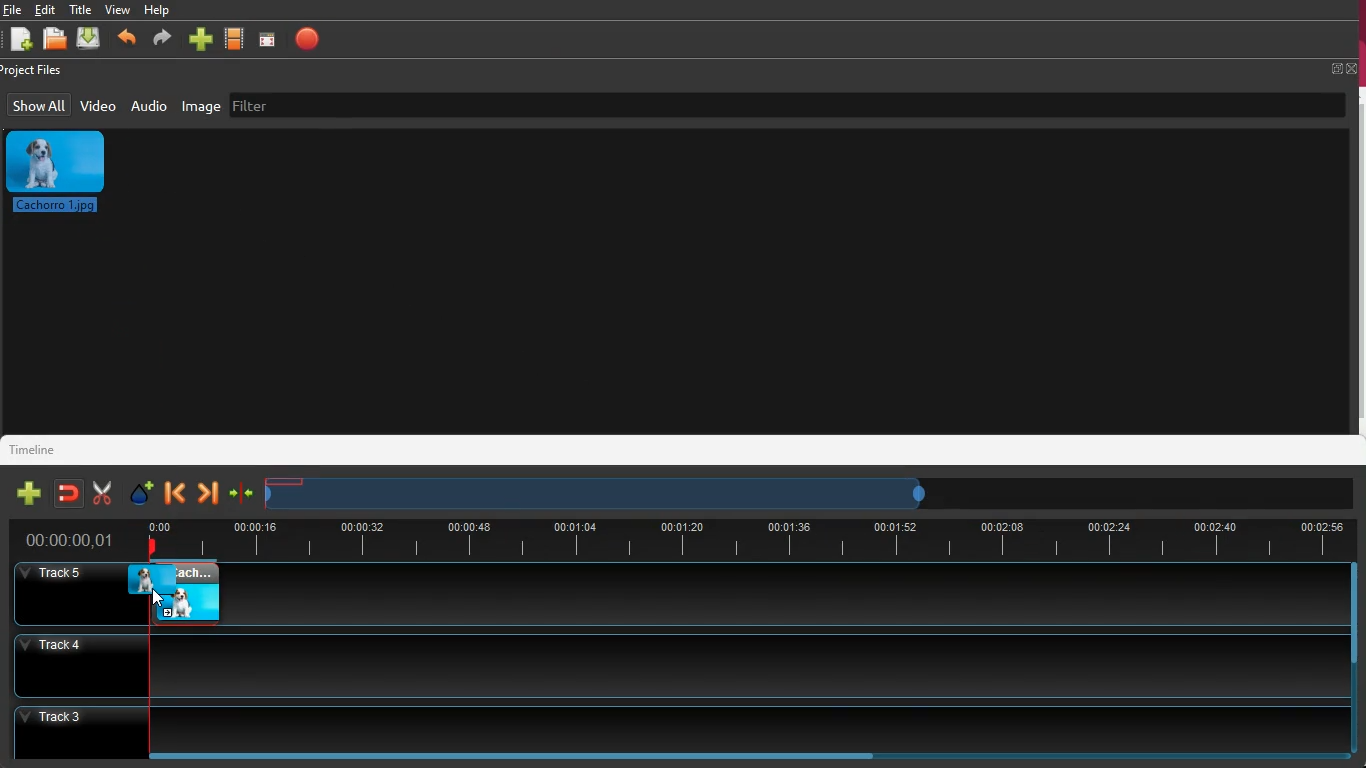 Image resolution: width=1366 pixels, height=768 pixels. I want to click on timeframe, so click(610, 495).